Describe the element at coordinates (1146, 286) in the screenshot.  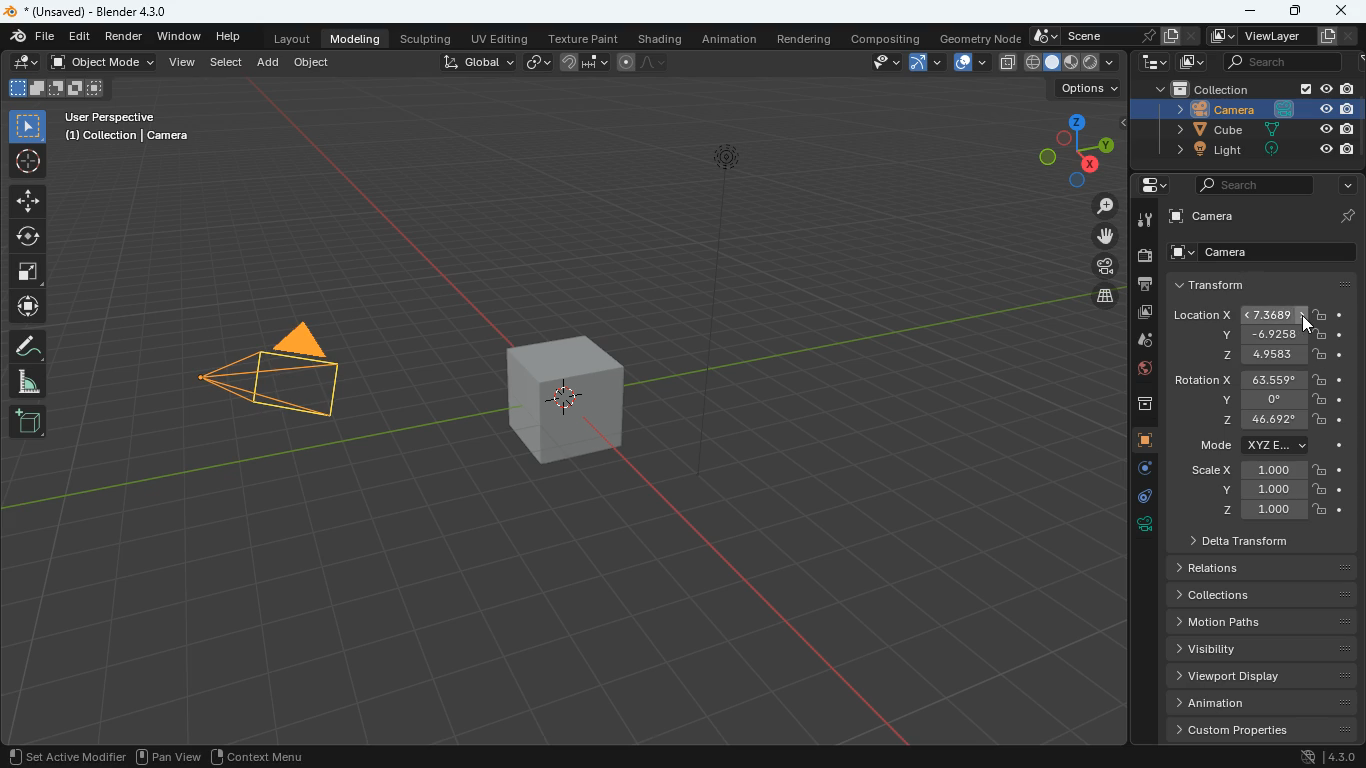
I see `print` at that location.